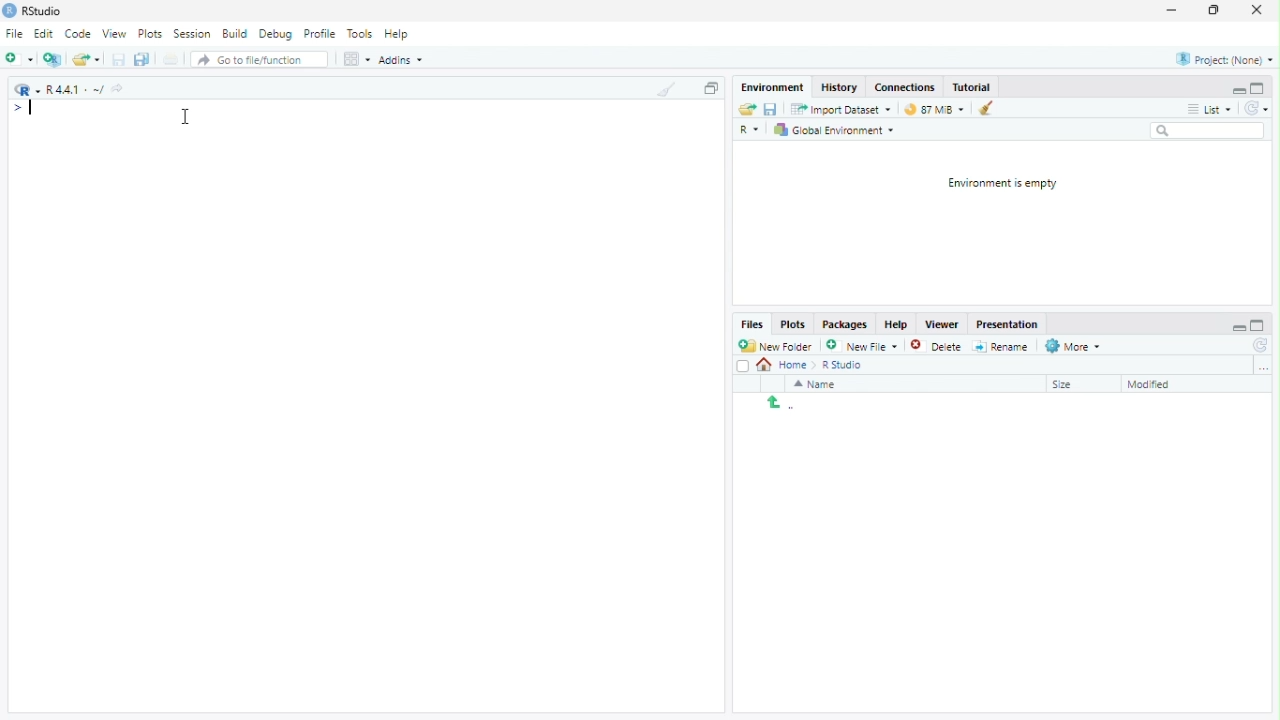  Describe the element at coordinates (114, 34) in the screenshot. I see `View` at that location.